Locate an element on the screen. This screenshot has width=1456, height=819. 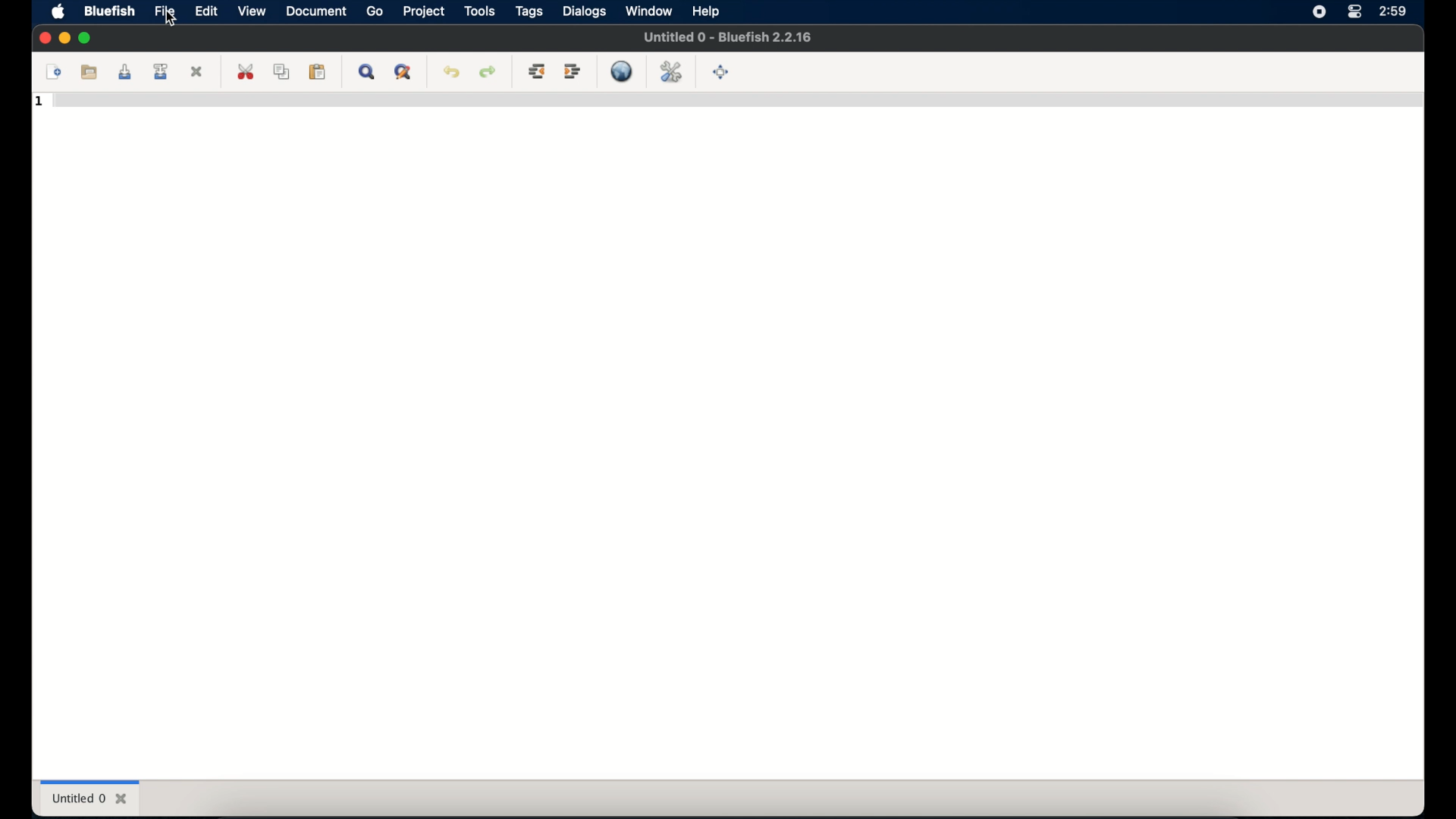
redo is located at coordinates (488, 71).